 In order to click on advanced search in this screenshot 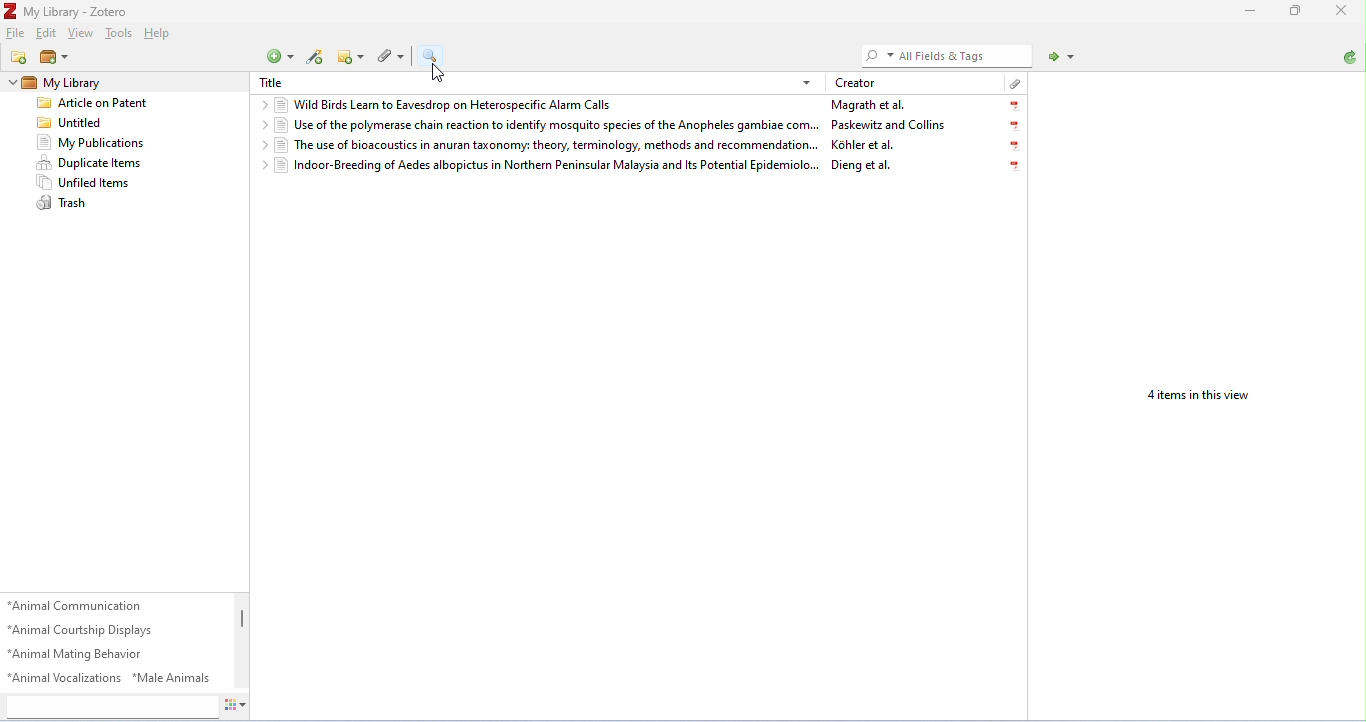, I will do `click(434, 56)`.